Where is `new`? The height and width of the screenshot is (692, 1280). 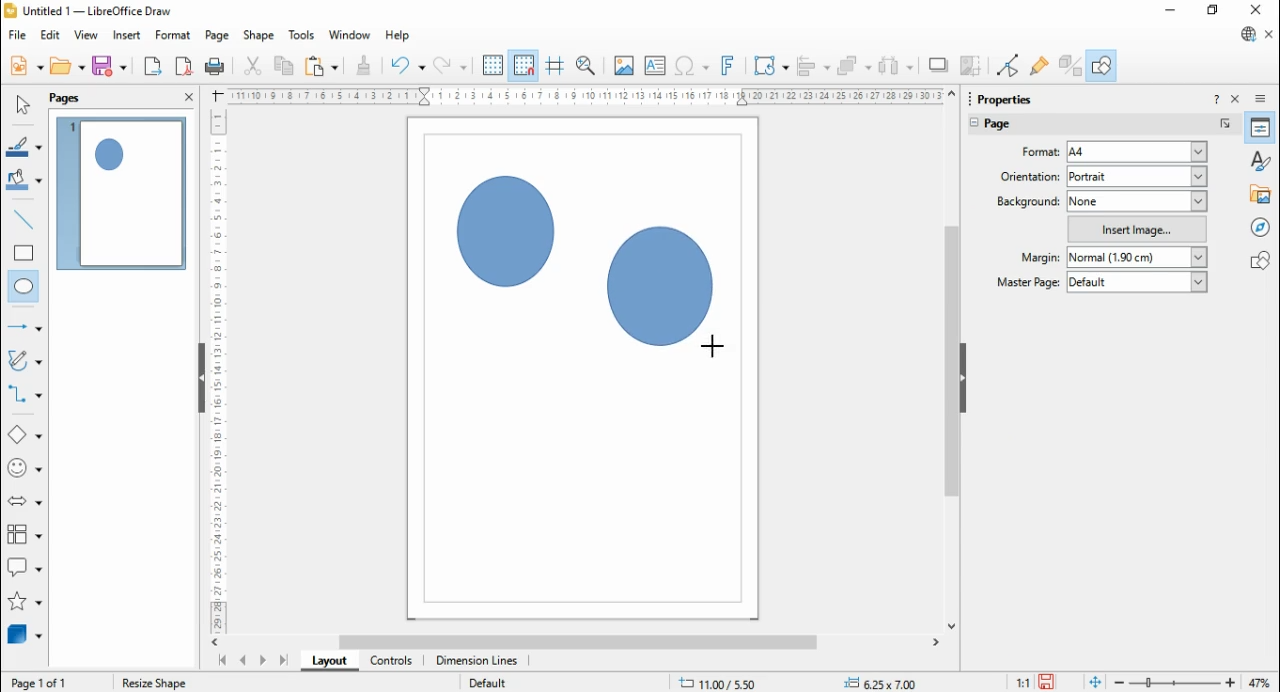
new is located at coordinates (26, 65).